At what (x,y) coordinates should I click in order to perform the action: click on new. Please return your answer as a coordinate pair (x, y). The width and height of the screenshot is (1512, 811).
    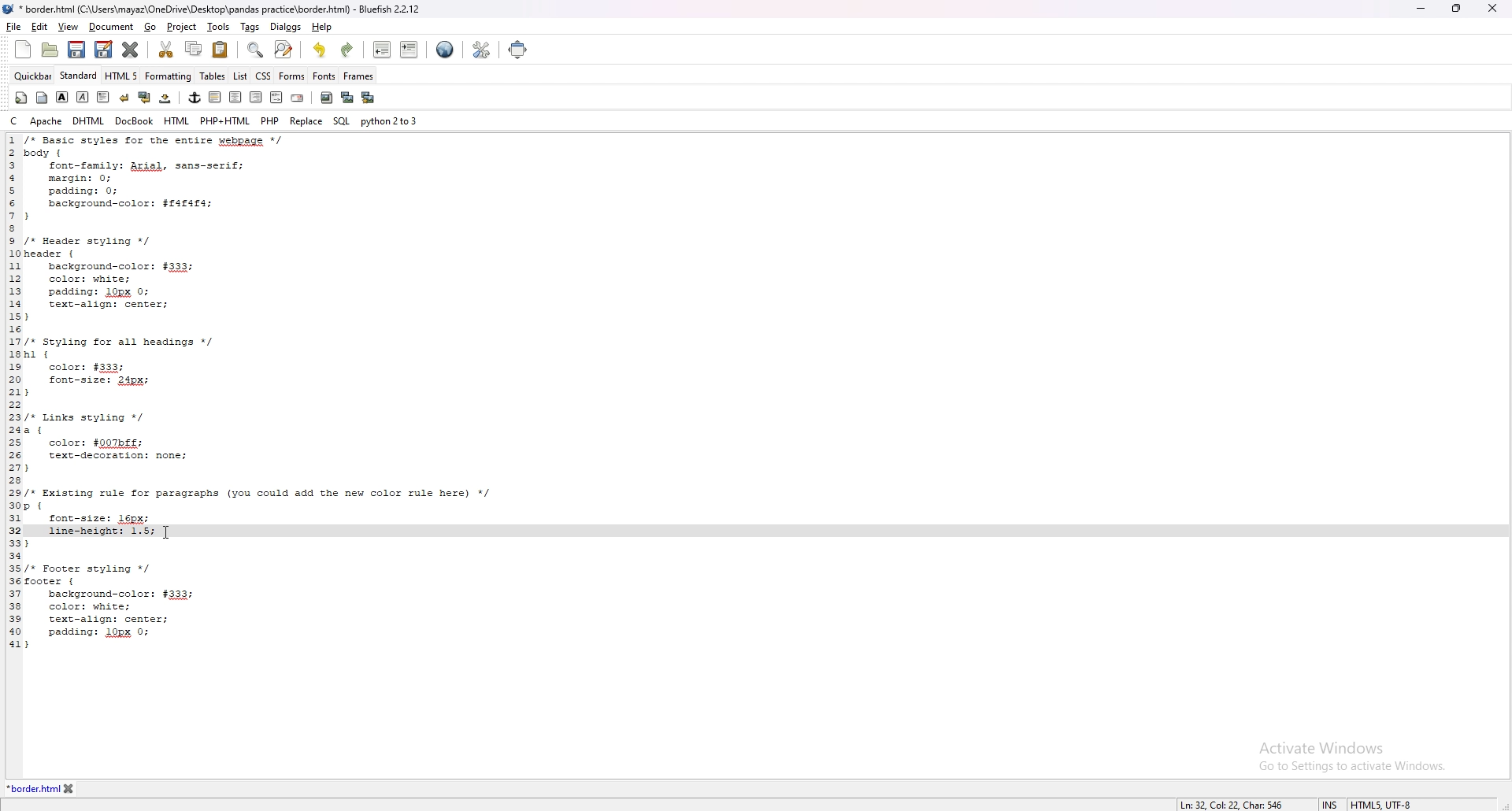
    Looking at the image, I should click on (23, 49).